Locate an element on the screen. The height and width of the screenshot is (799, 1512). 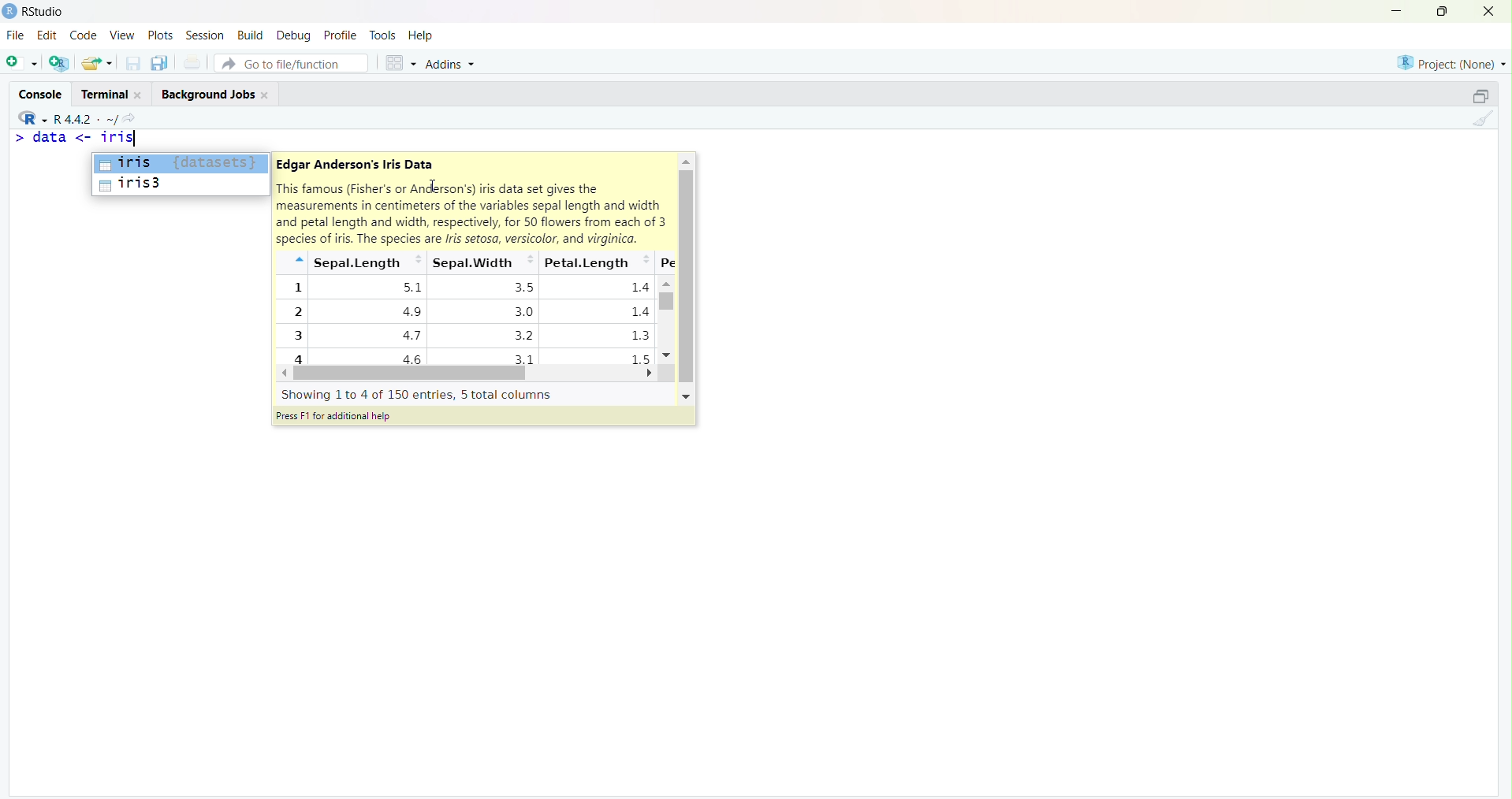
Clear console (Ctrl + L) is located at coordinates (1481, 120).